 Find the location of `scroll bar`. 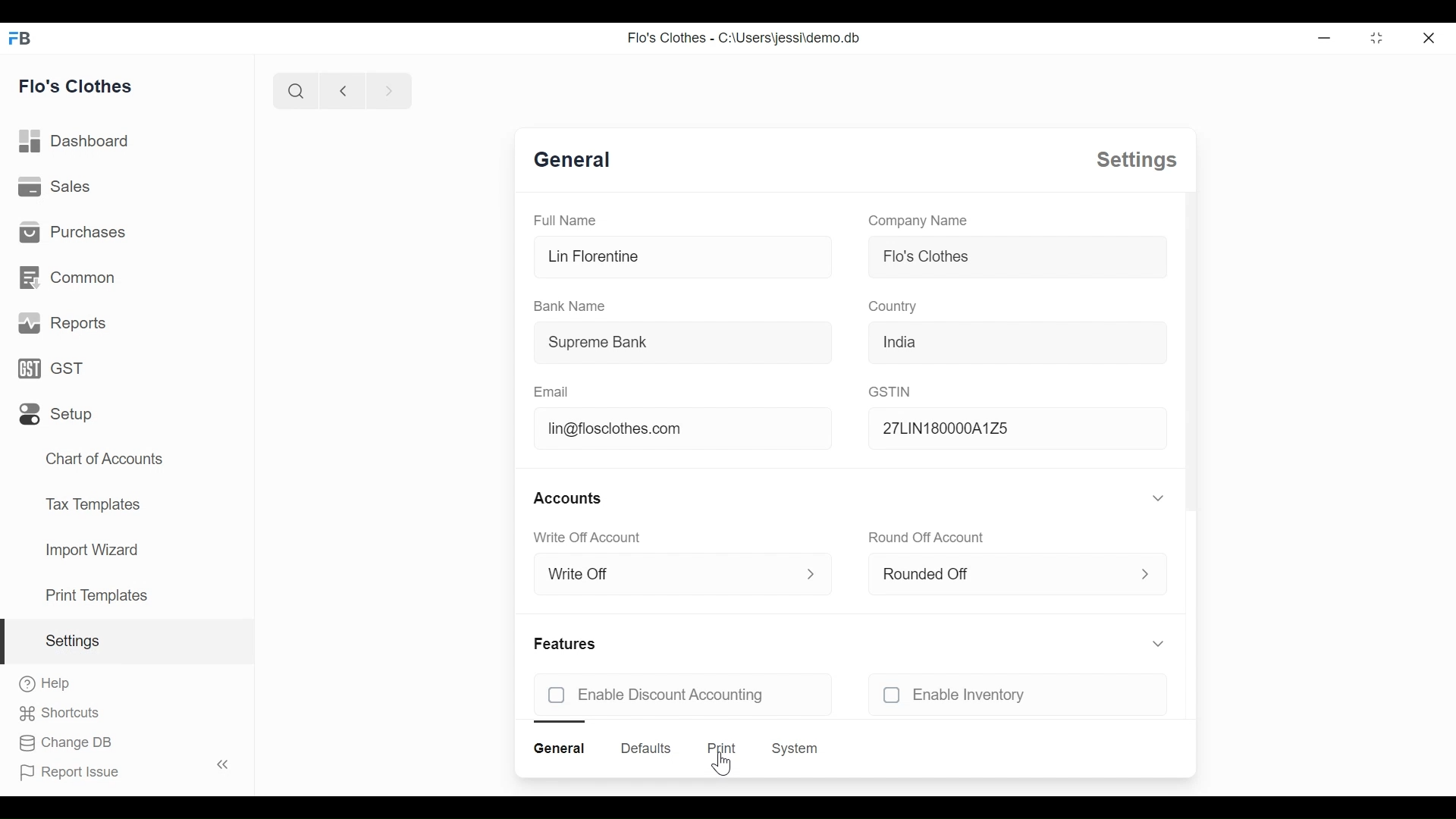

scroll bar is located at coordinates (1191, 350).